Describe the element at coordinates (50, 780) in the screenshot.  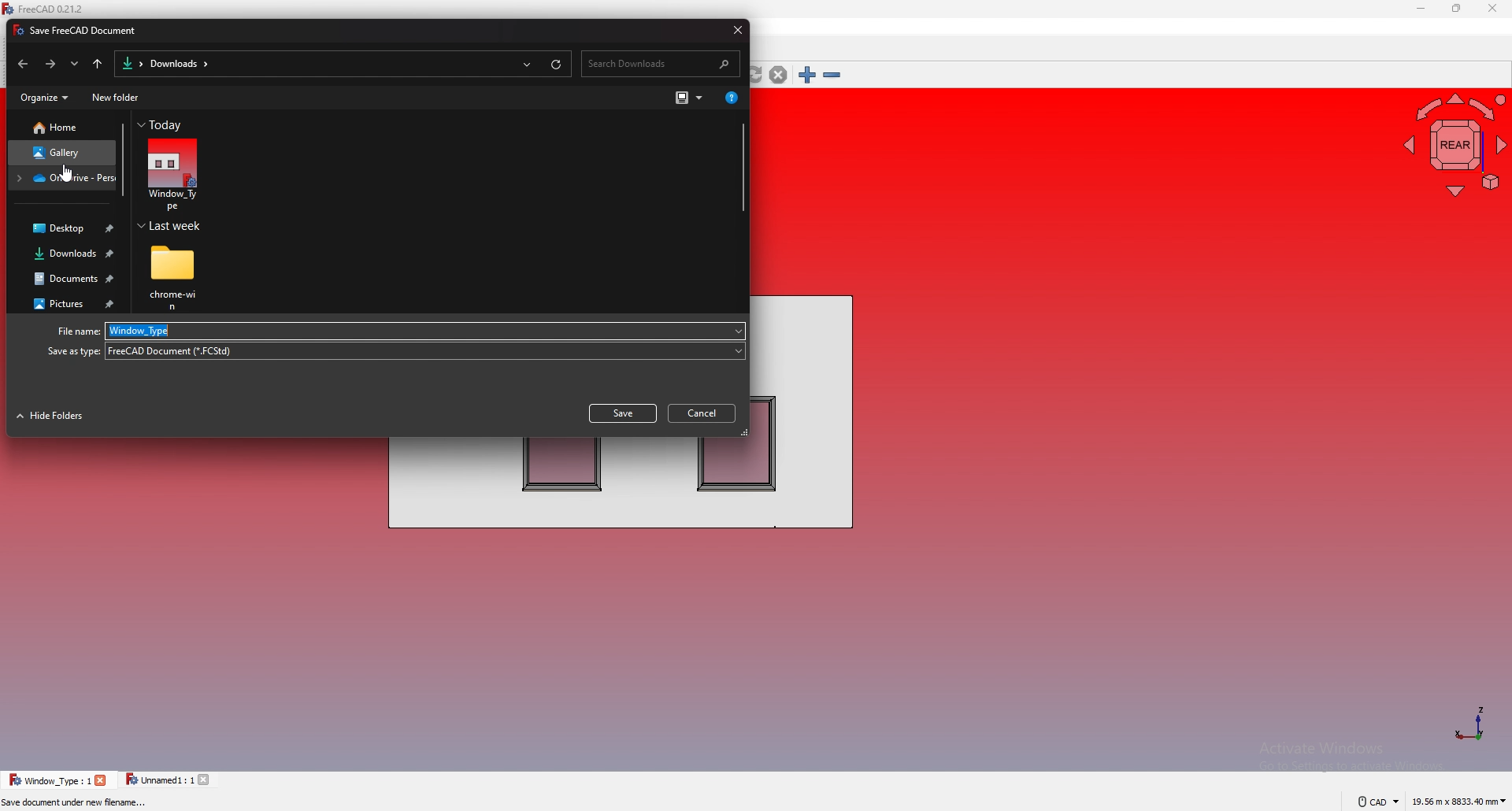
I see `Window_Type: 1` at that location.